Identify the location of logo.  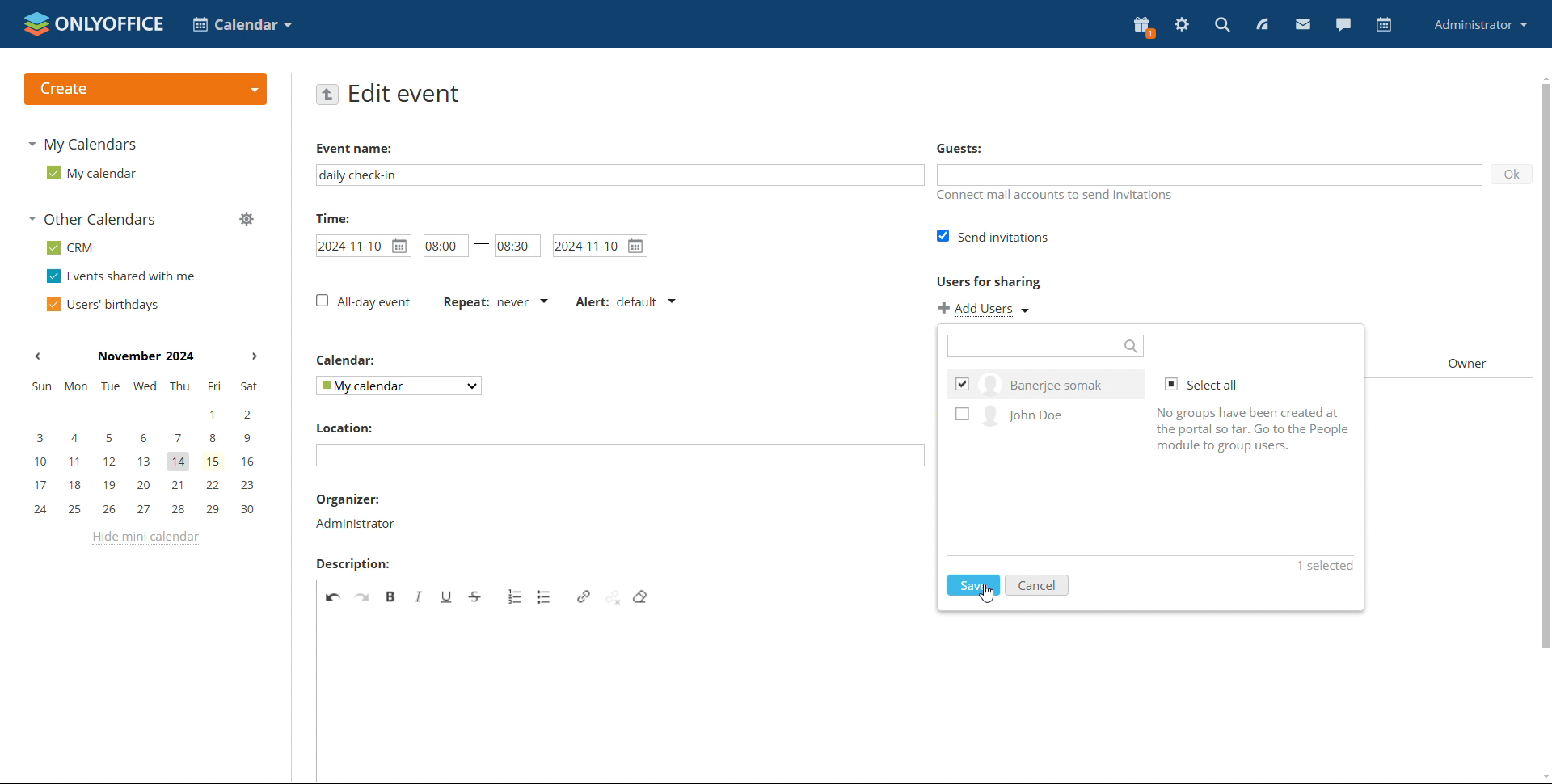
(94, 23).